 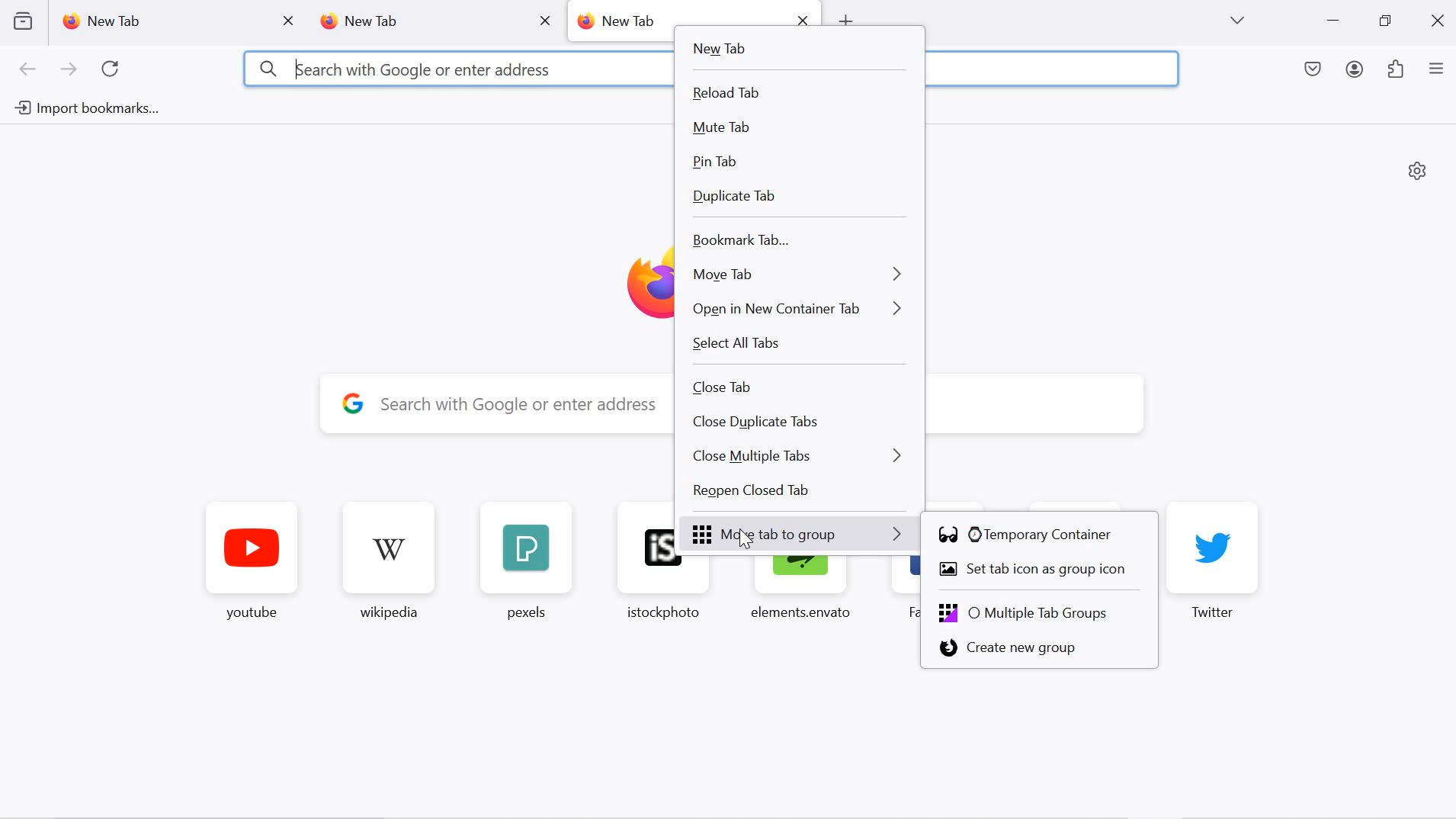 What do you see at coordinates (84, 109) in the screenshot?
I see `import bookmarks` at bounding box center [84, 109].